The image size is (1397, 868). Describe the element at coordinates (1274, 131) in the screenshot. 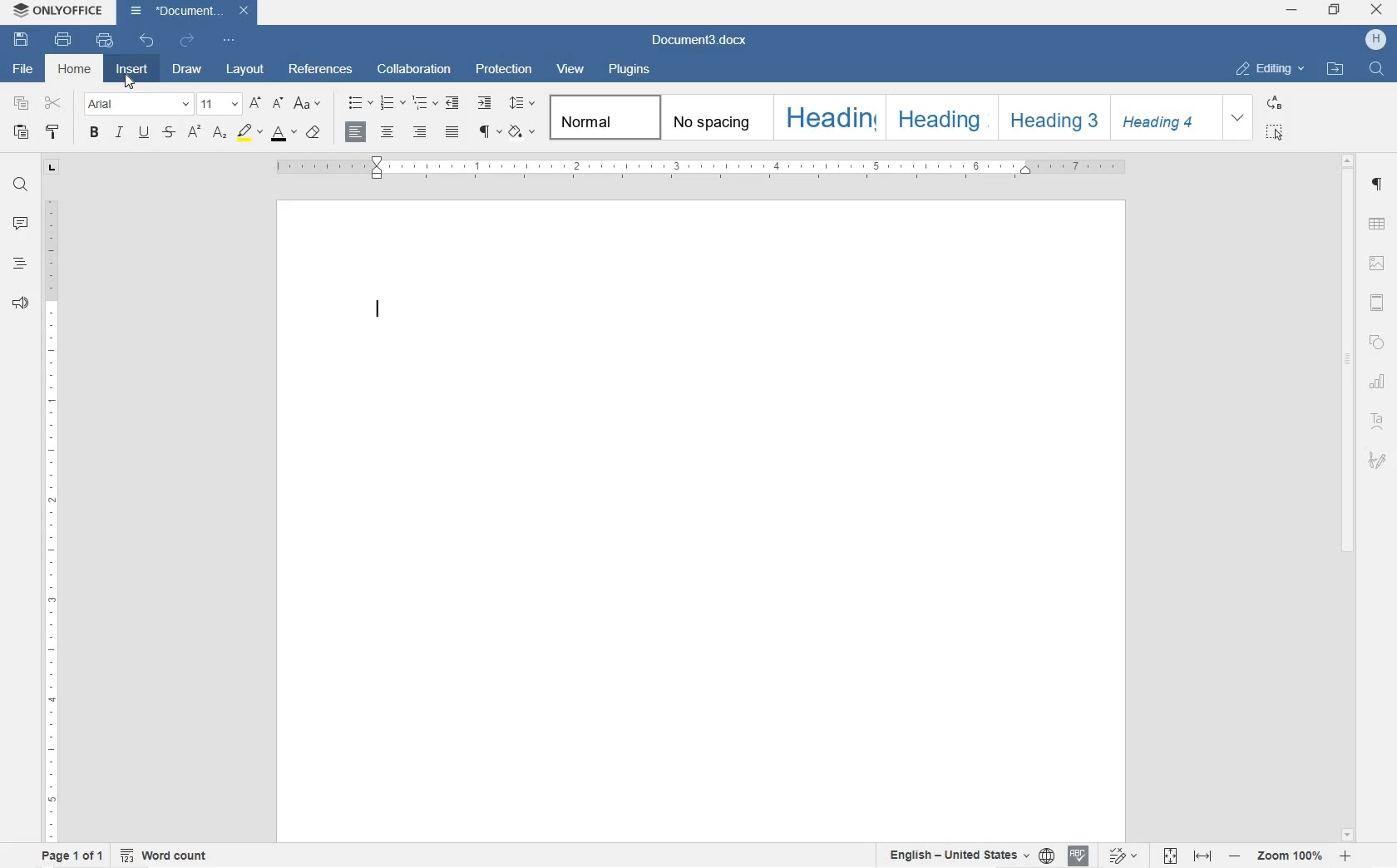

I see `SELECT ALL` at that location.